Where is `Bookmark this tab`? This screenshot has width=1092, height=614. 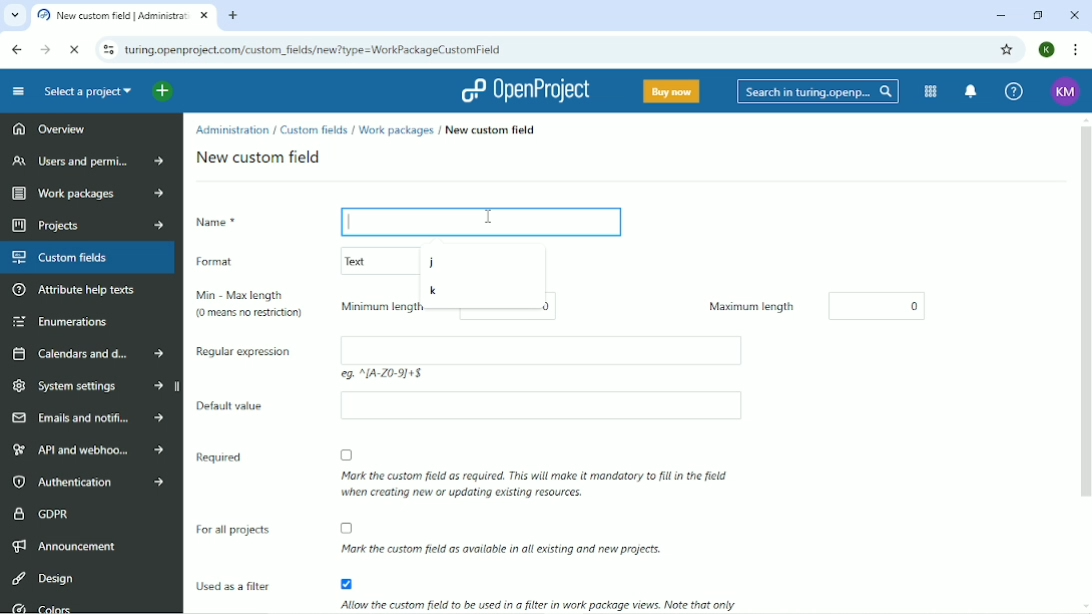
Bookmark this tab is located at coordinates (1008, 50).